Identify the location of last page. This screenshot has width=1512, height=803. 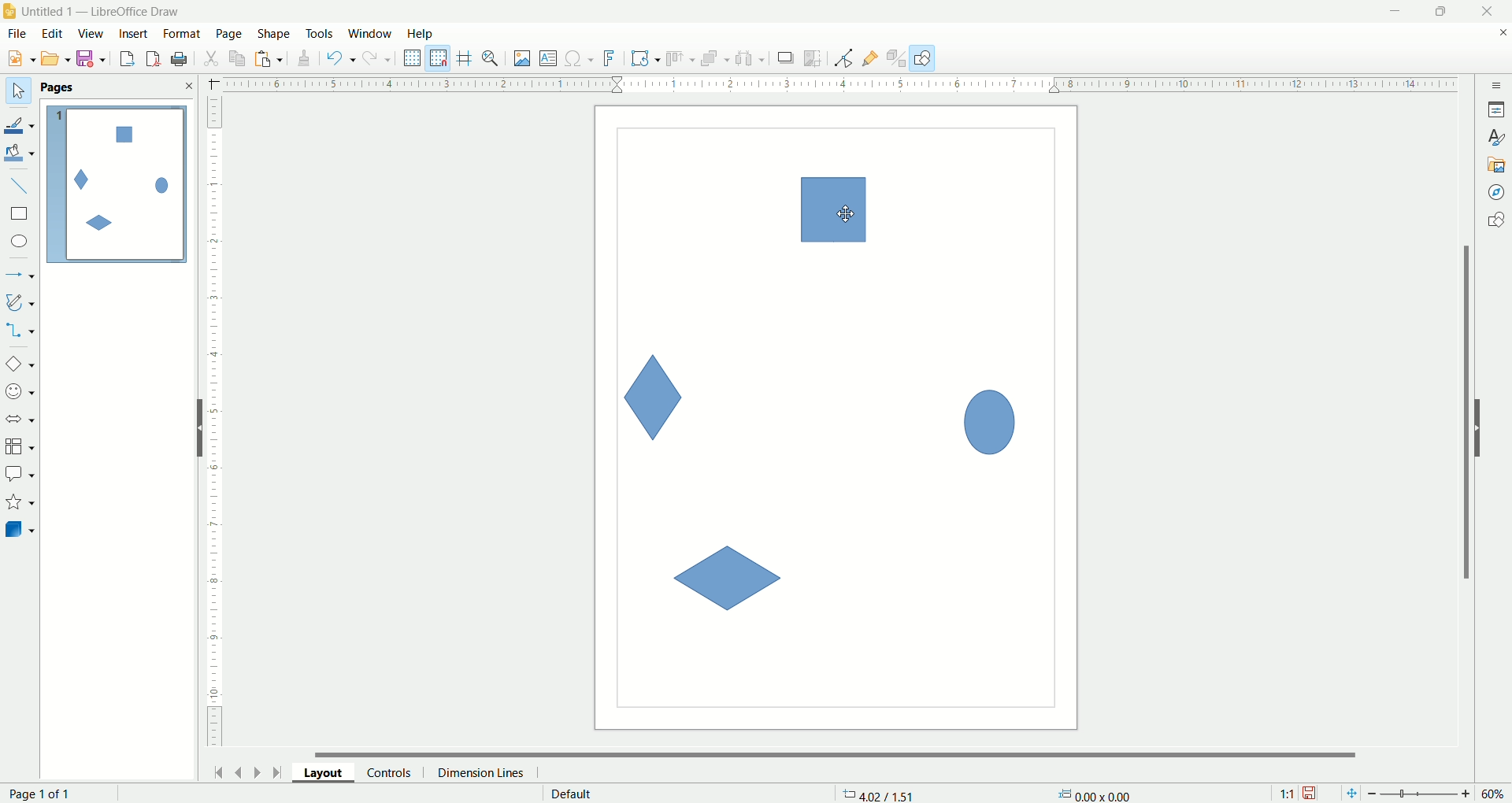
(280, 771).